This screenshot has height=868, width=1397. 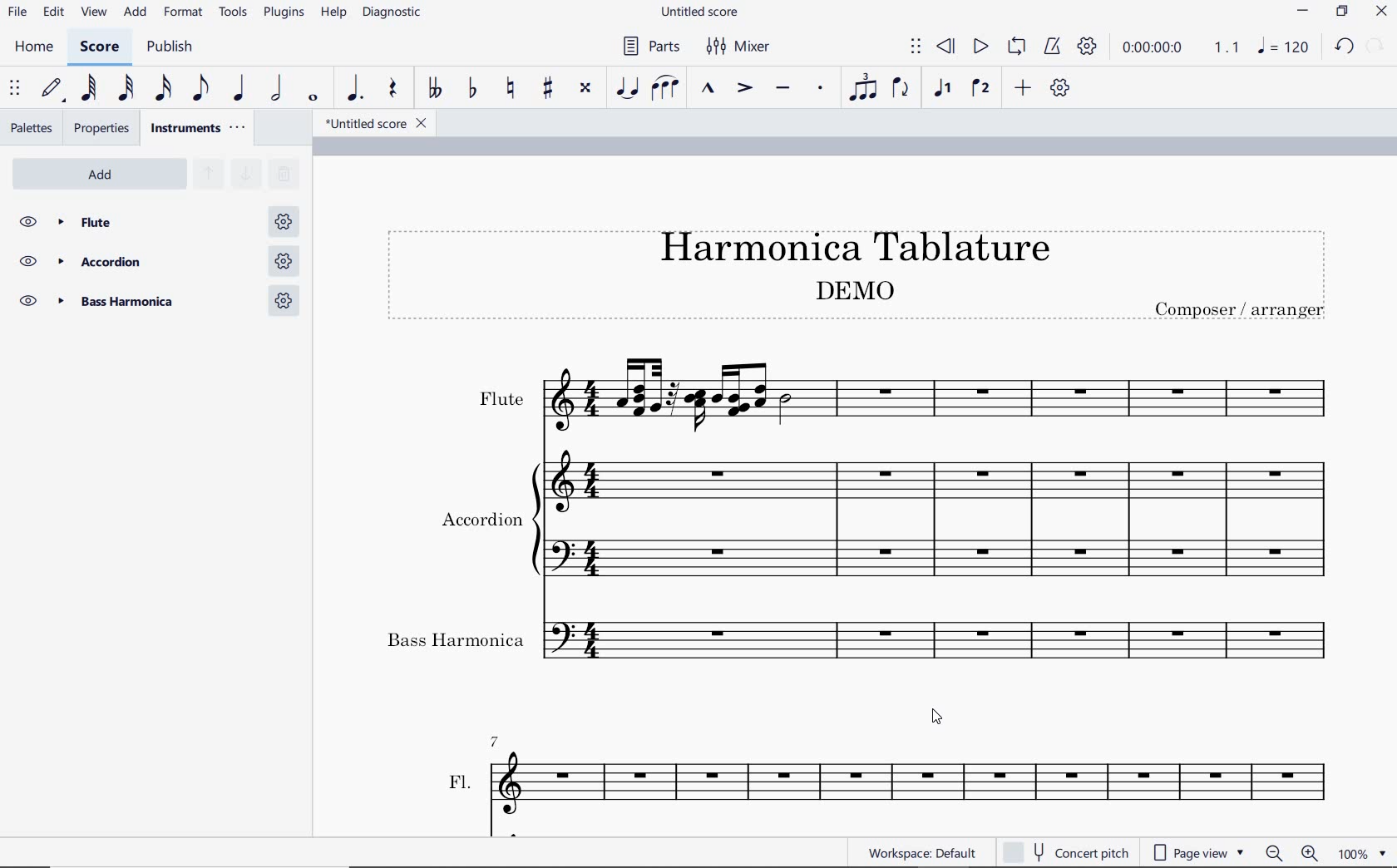 I want to click on file name, so click(x=369, y=122).